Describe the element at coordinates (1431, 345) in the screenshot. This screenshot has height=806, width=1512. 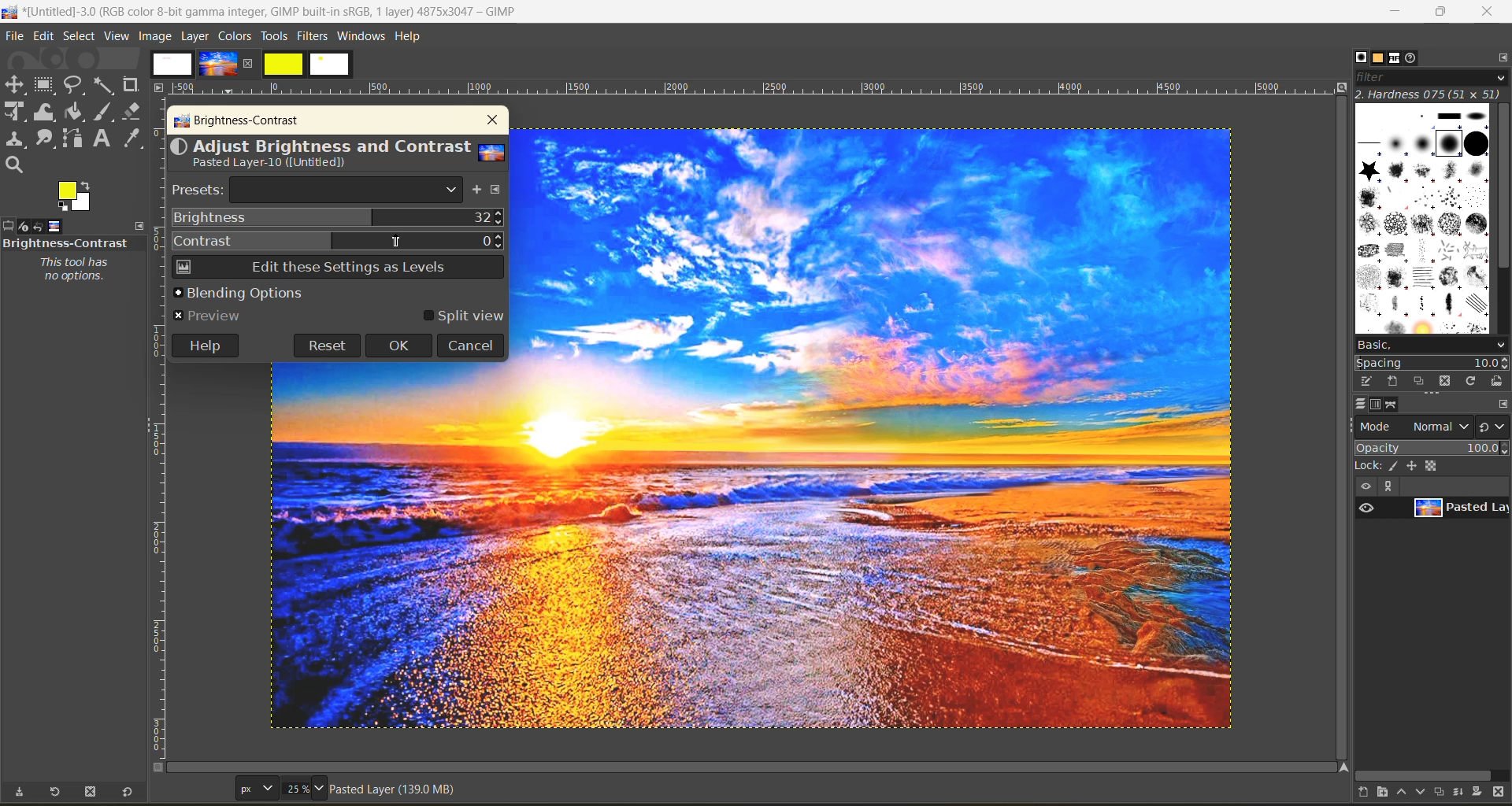
I see `basic` at that location.